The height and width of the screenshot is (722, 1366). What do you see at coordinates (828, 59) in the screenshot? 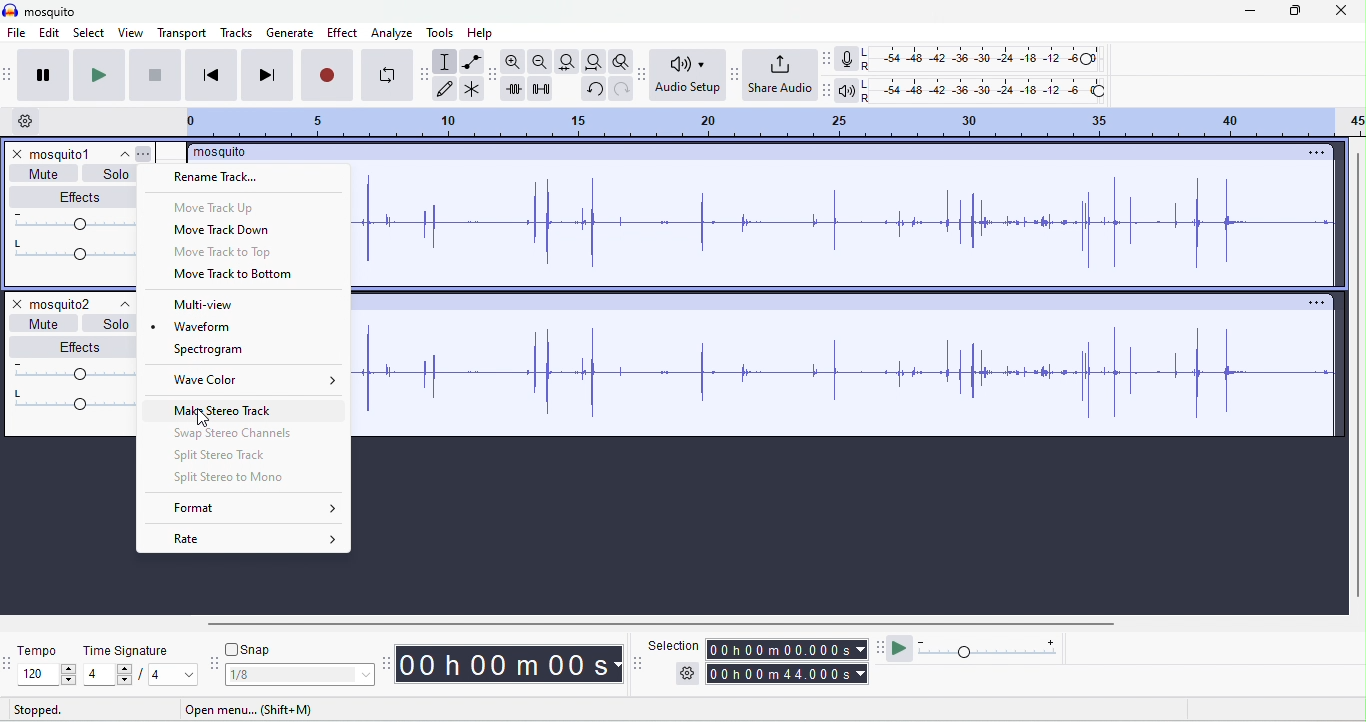
I see `record meter tool bar` at bounding box center [828, 59].